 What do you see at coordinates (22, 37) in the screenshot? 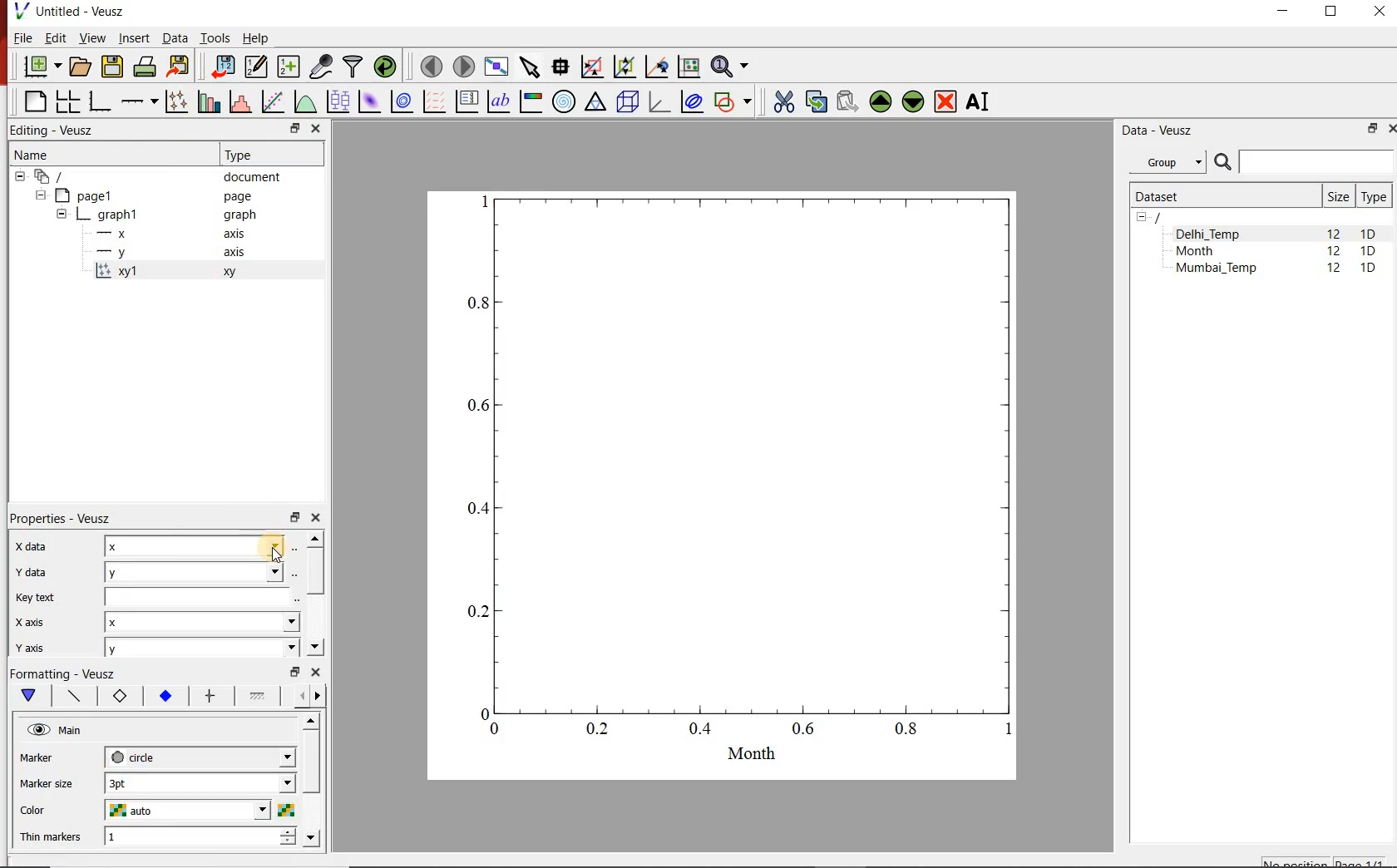
I see `File` at bounding box center [22, 37].